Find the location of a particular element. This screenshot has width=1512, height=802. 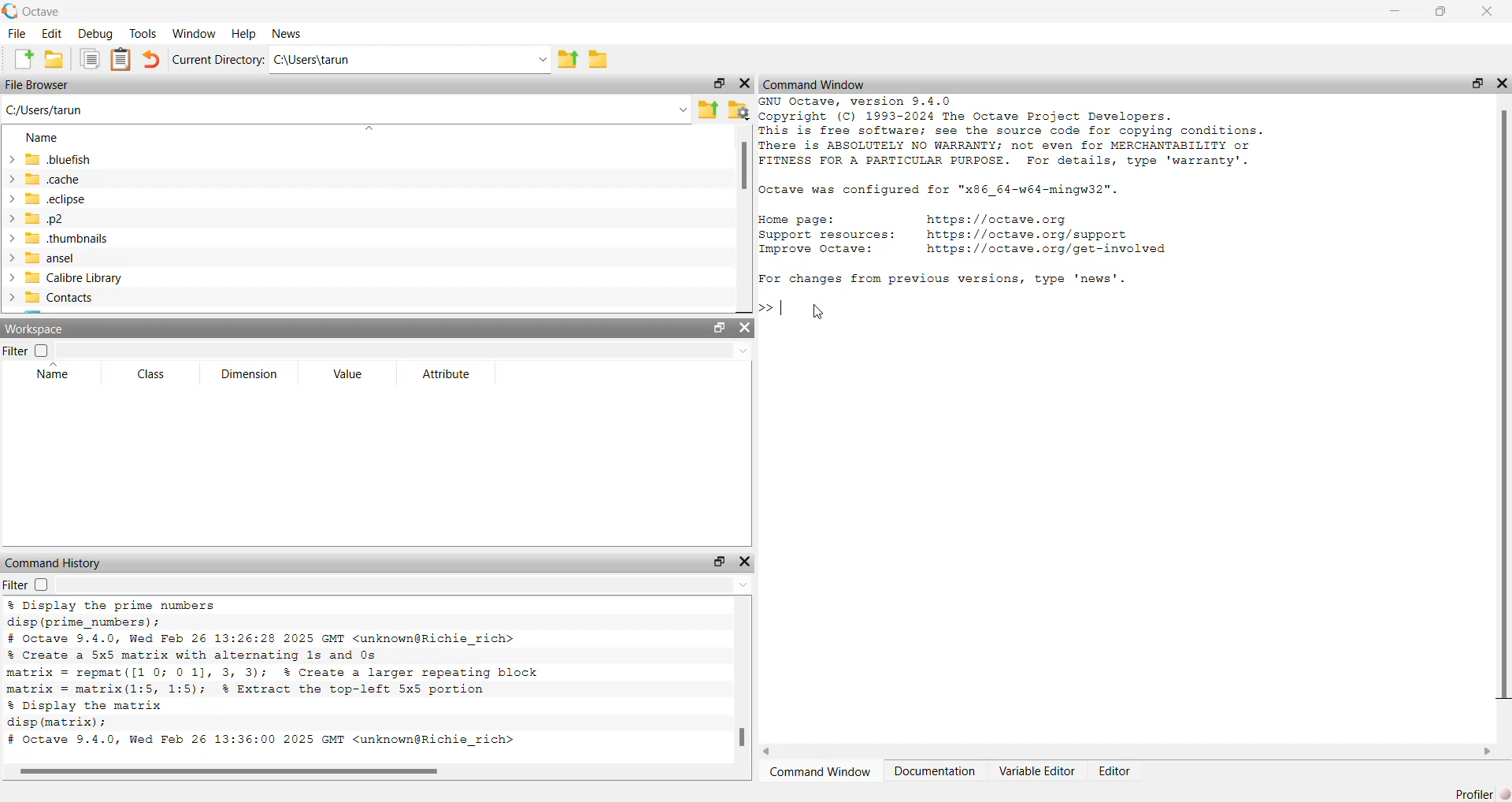

copy is located at coordinates (91, 61).